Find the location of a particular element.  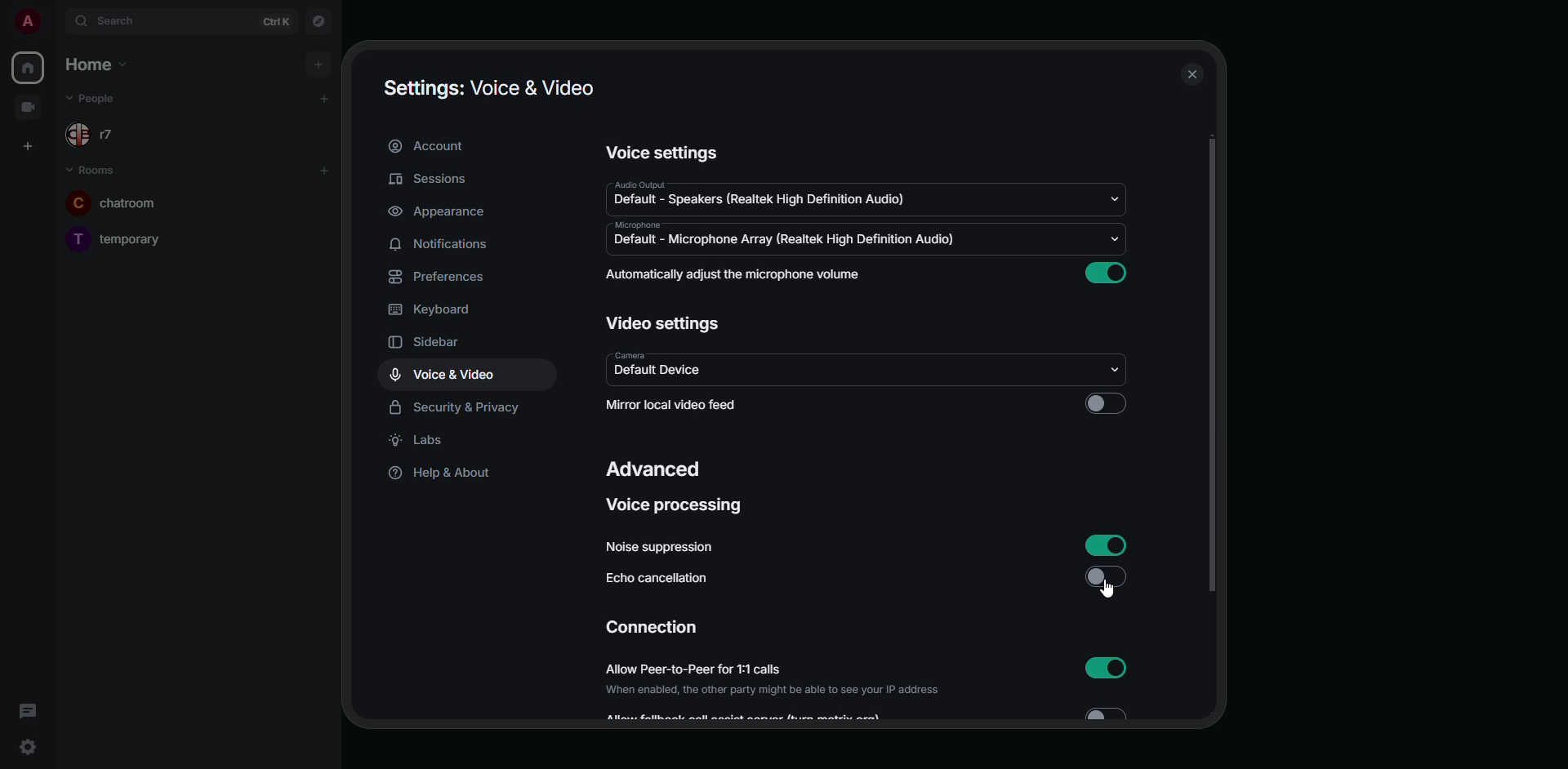

expand is located at coordinates (55, 20).